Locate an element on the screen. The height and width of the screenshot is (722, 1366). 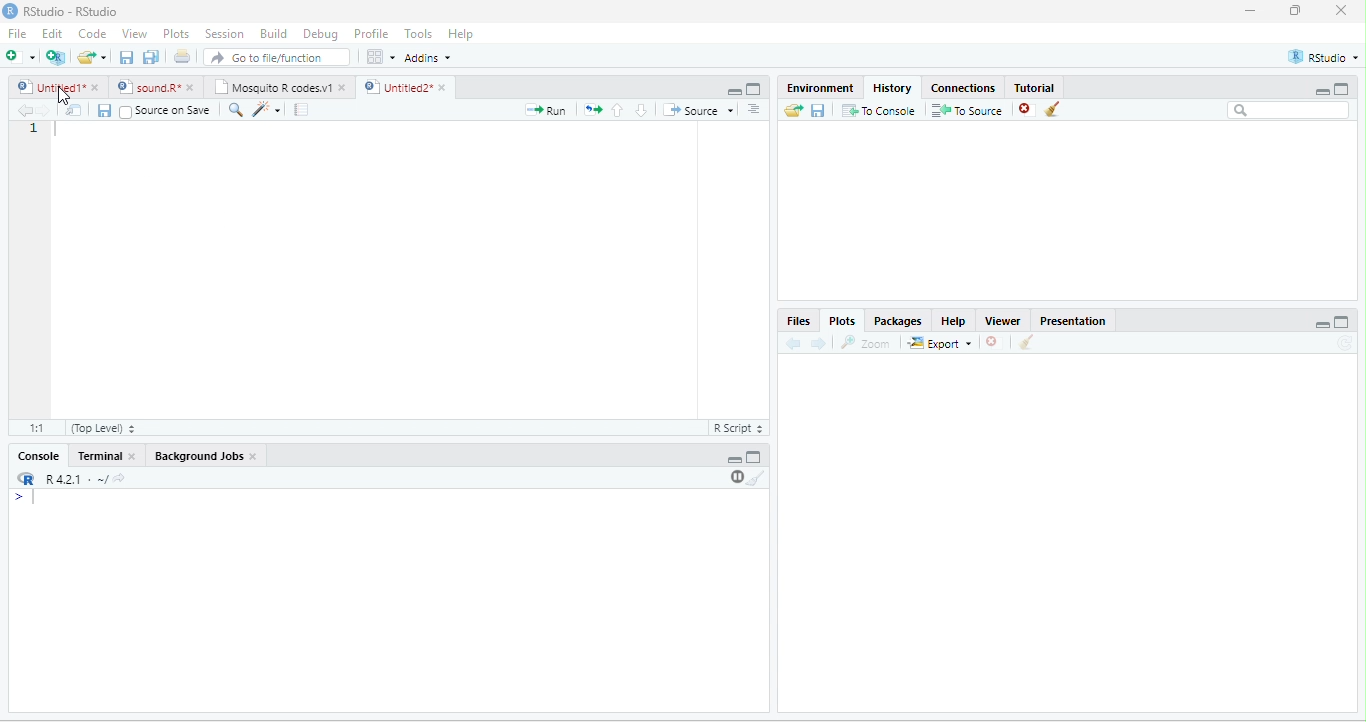
Help is located at coordinates (463, 35).